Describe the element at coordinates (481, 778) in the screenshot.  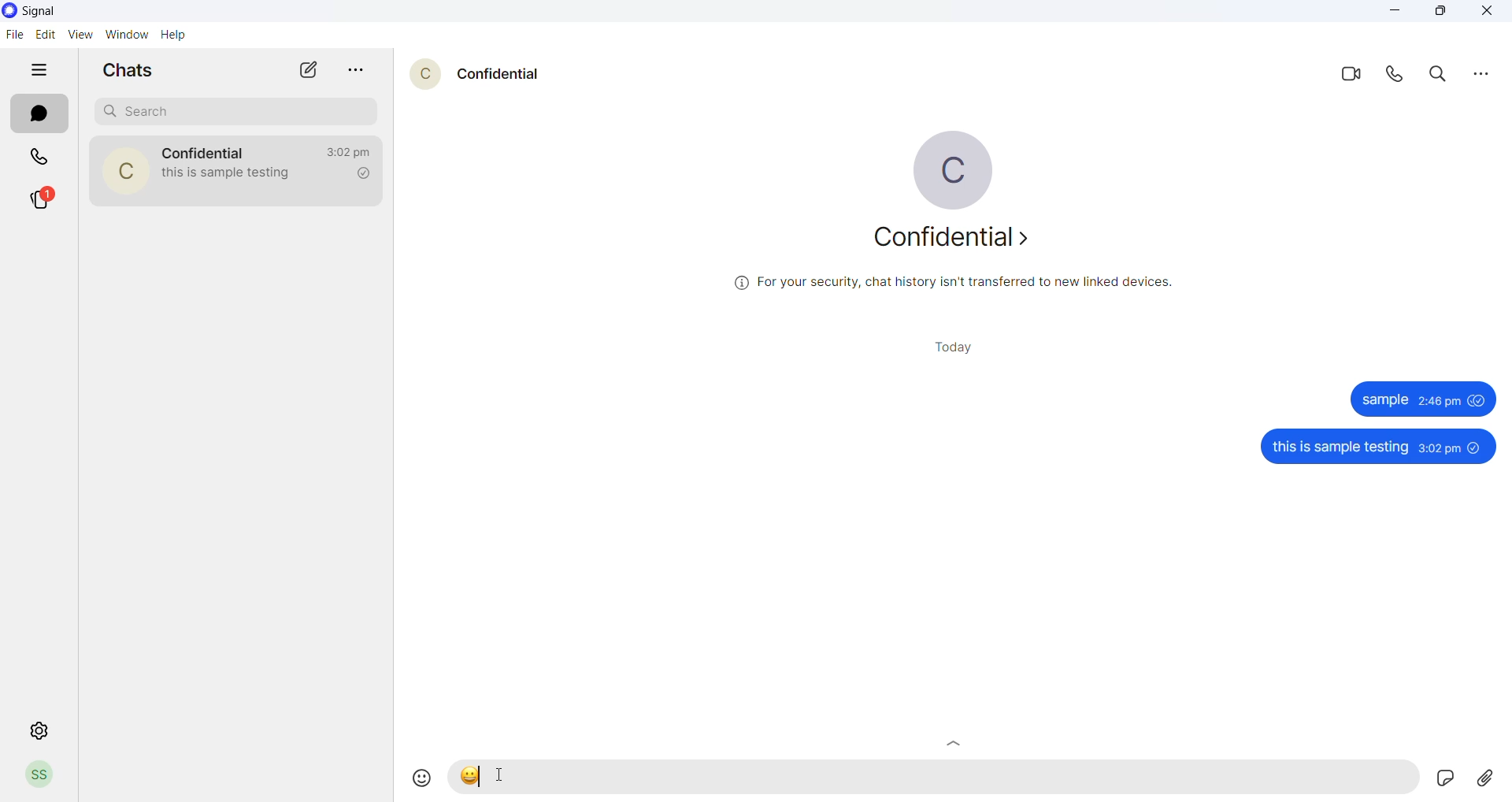
I see `text markup` at that location.